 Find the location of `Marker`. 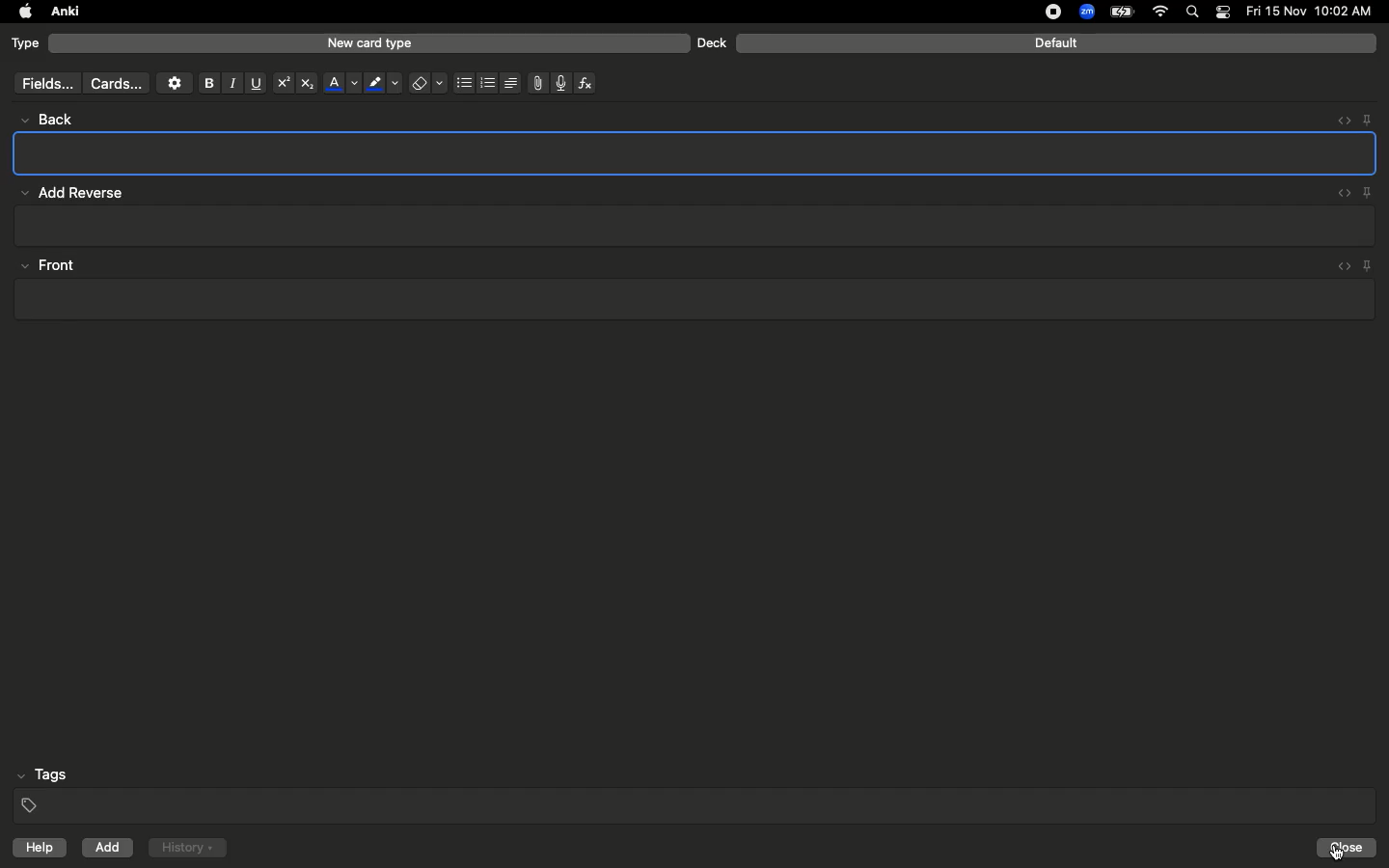

Marker is located at coordinates (383, 85).